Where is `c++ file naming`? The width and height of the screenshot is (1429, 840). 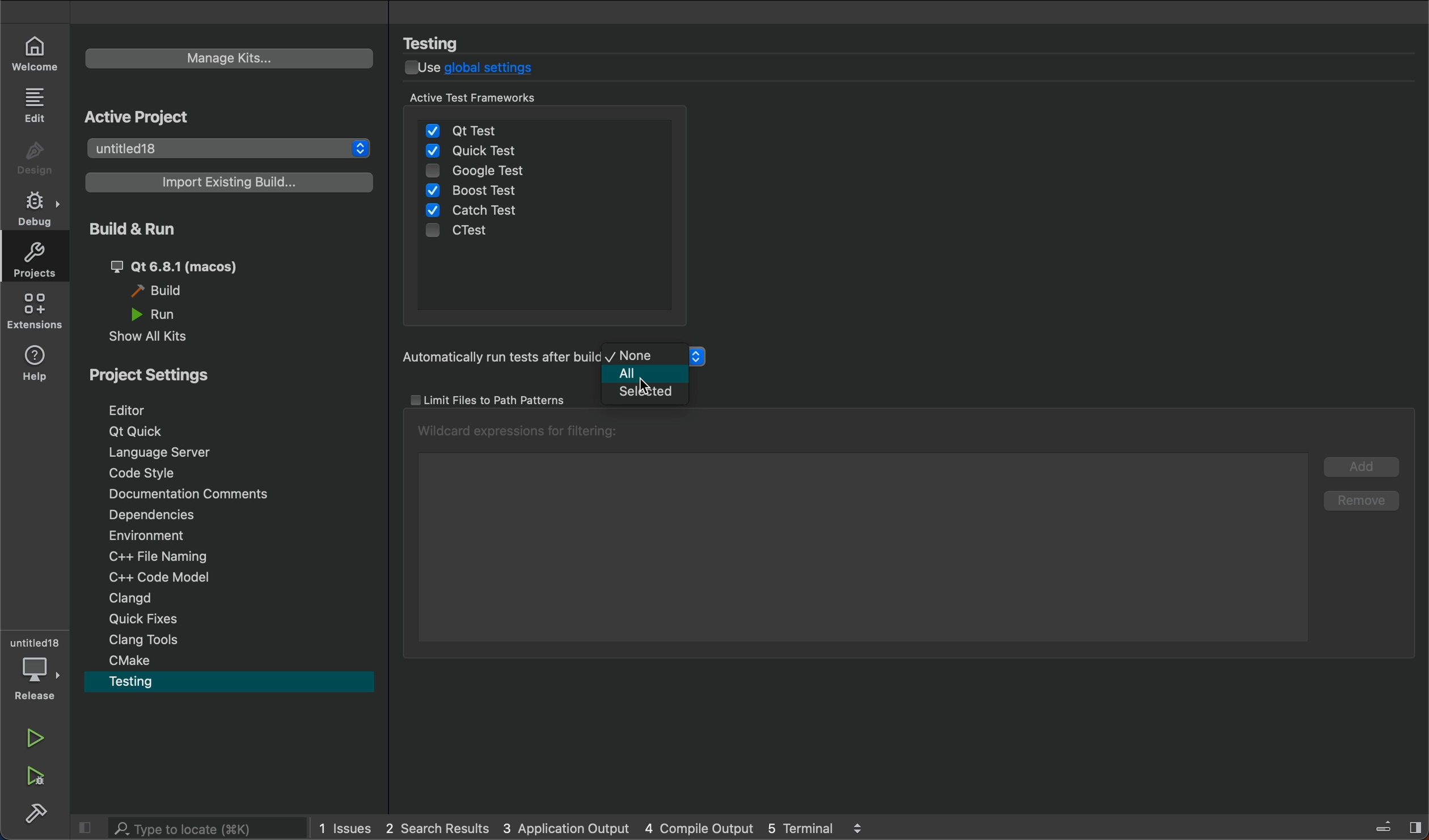
c++ file naming is located at coordinates (163, 555).